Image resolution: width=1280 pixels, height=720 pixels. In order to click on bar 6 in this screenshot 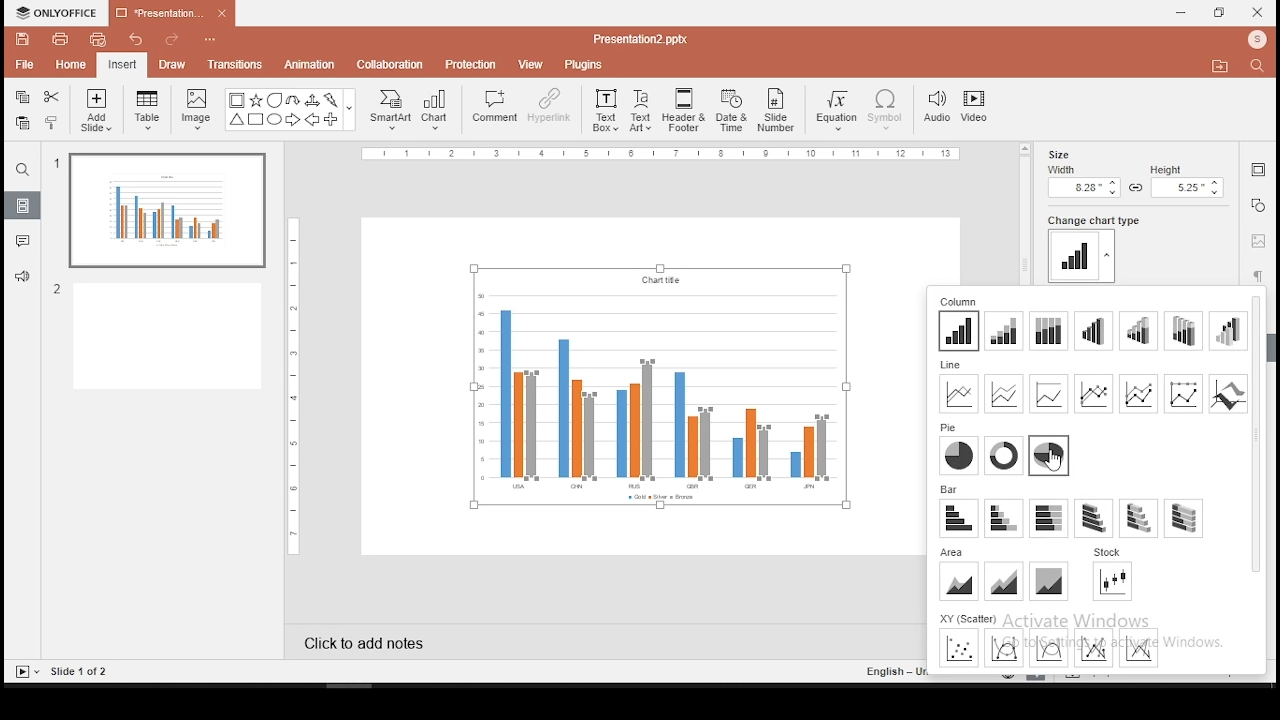, I will do `click(1184, 519)`.